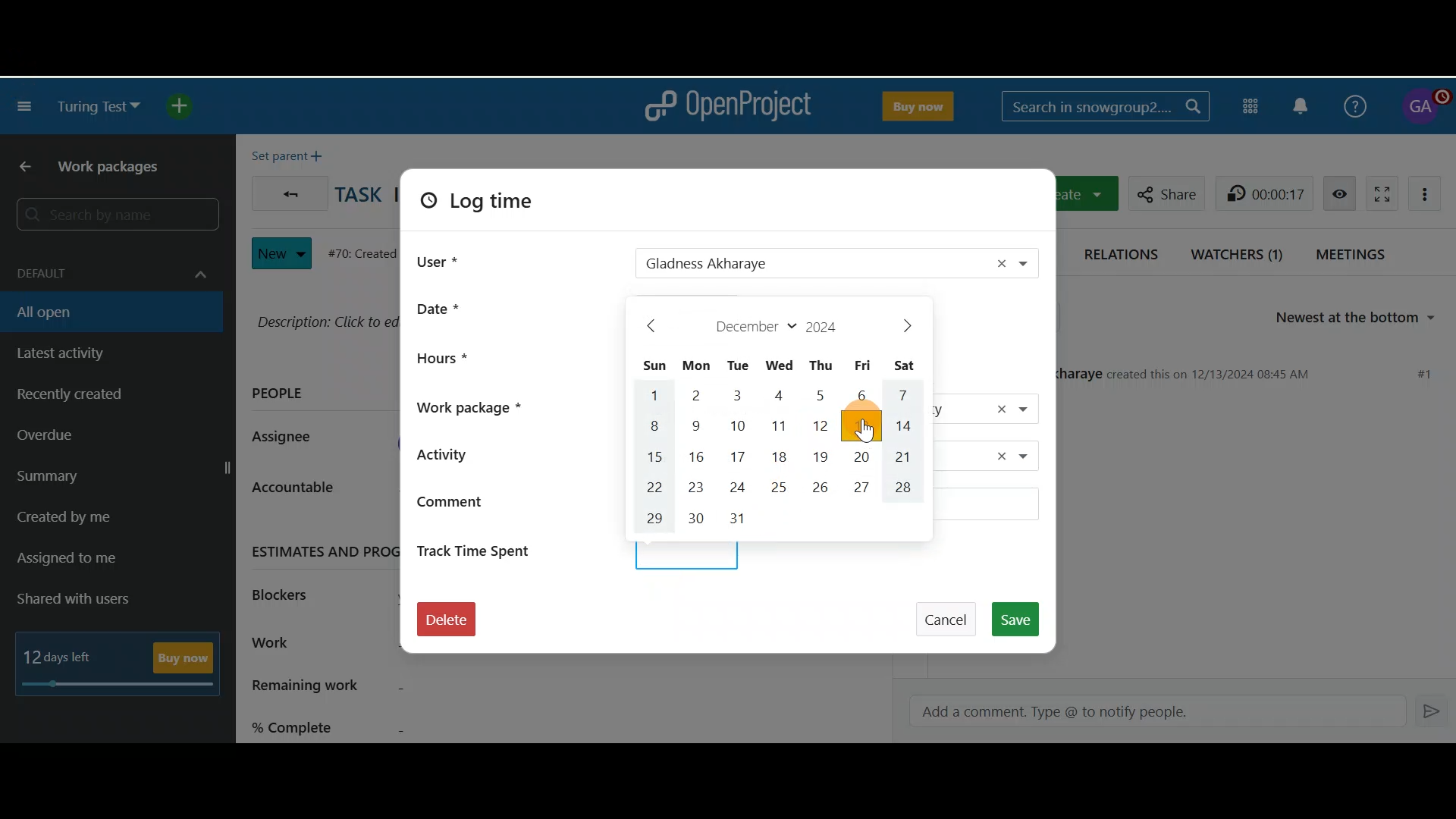 This screenshot has height=819, width=1456. What do you see at coordinates (286, 190) in the screenshot?
I see `Back` at bounding box center [286, 190].